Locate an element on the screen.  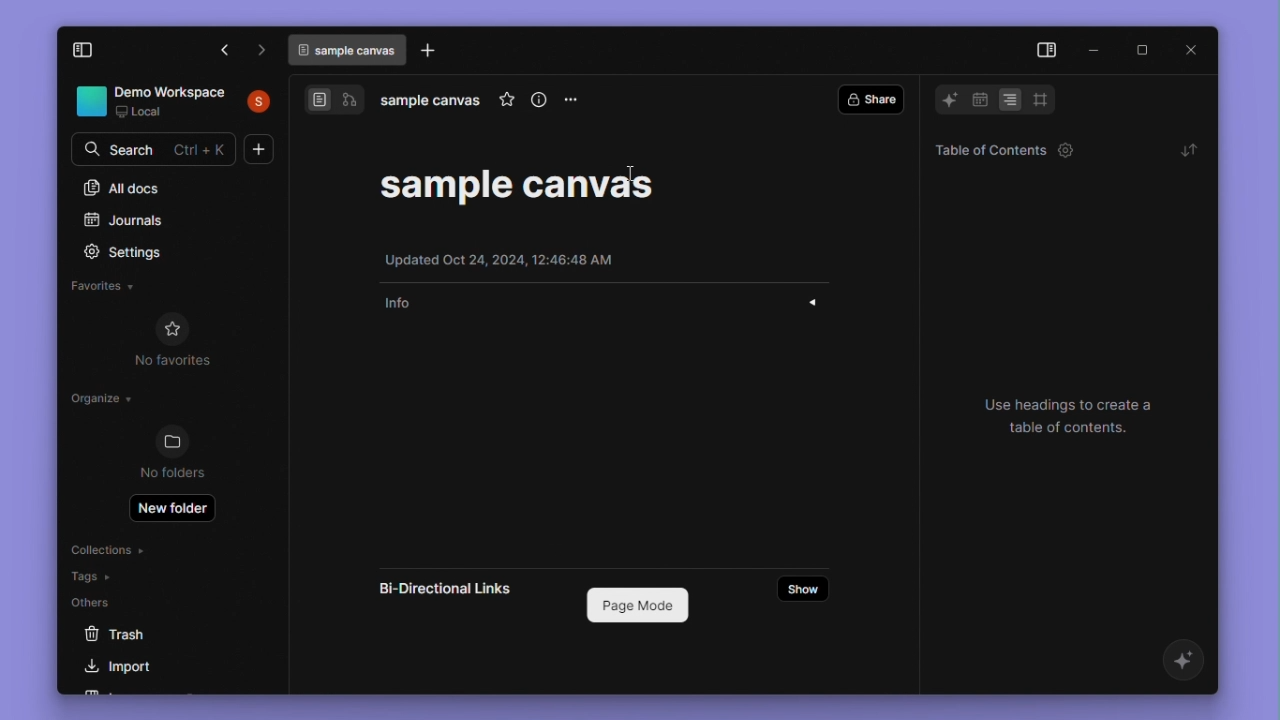
Date and time of update is located at coordinates (507, 258).